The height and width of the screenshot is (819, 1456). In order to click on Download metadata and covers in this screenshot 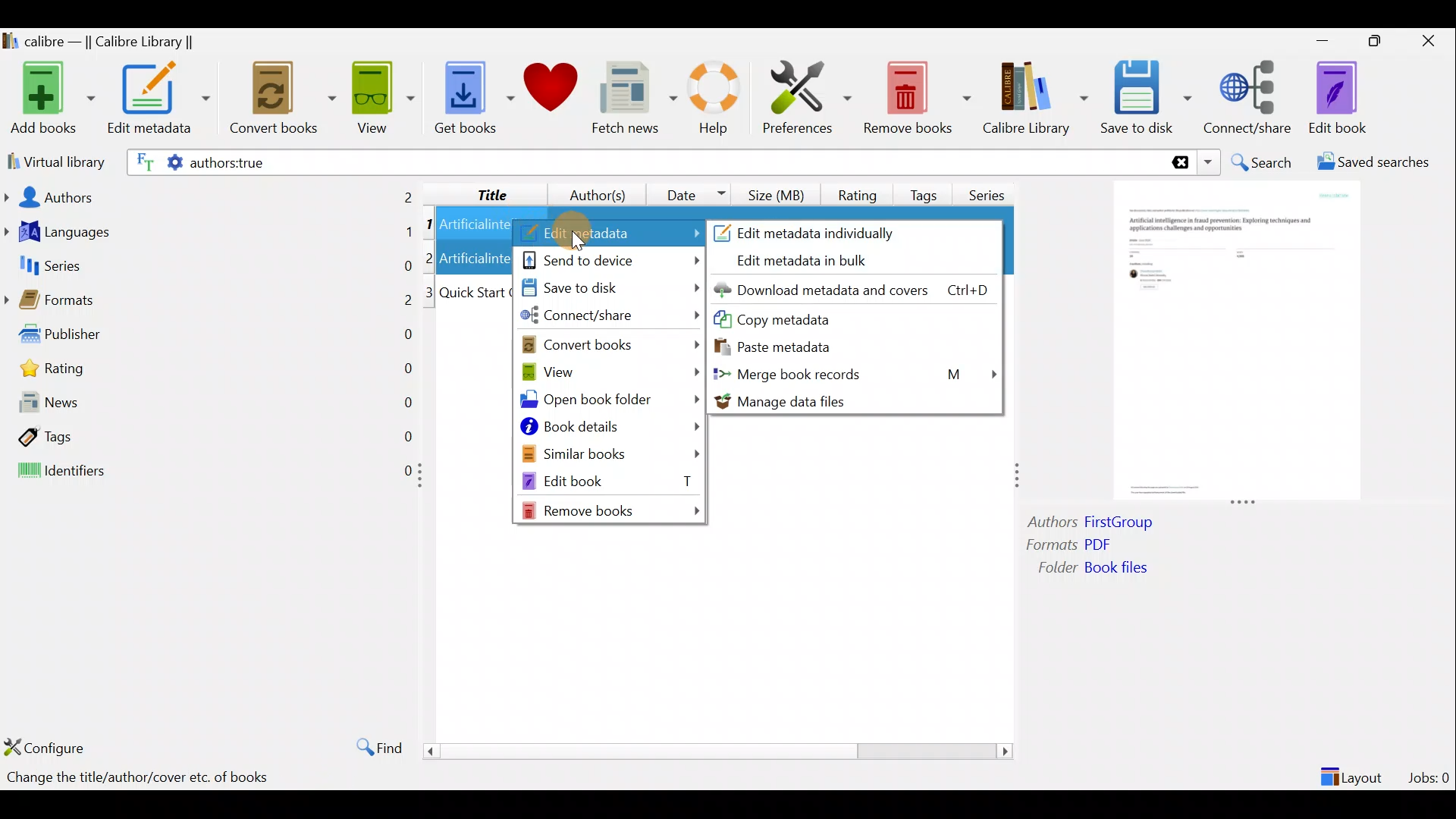, I will do `click(858, 289)`.